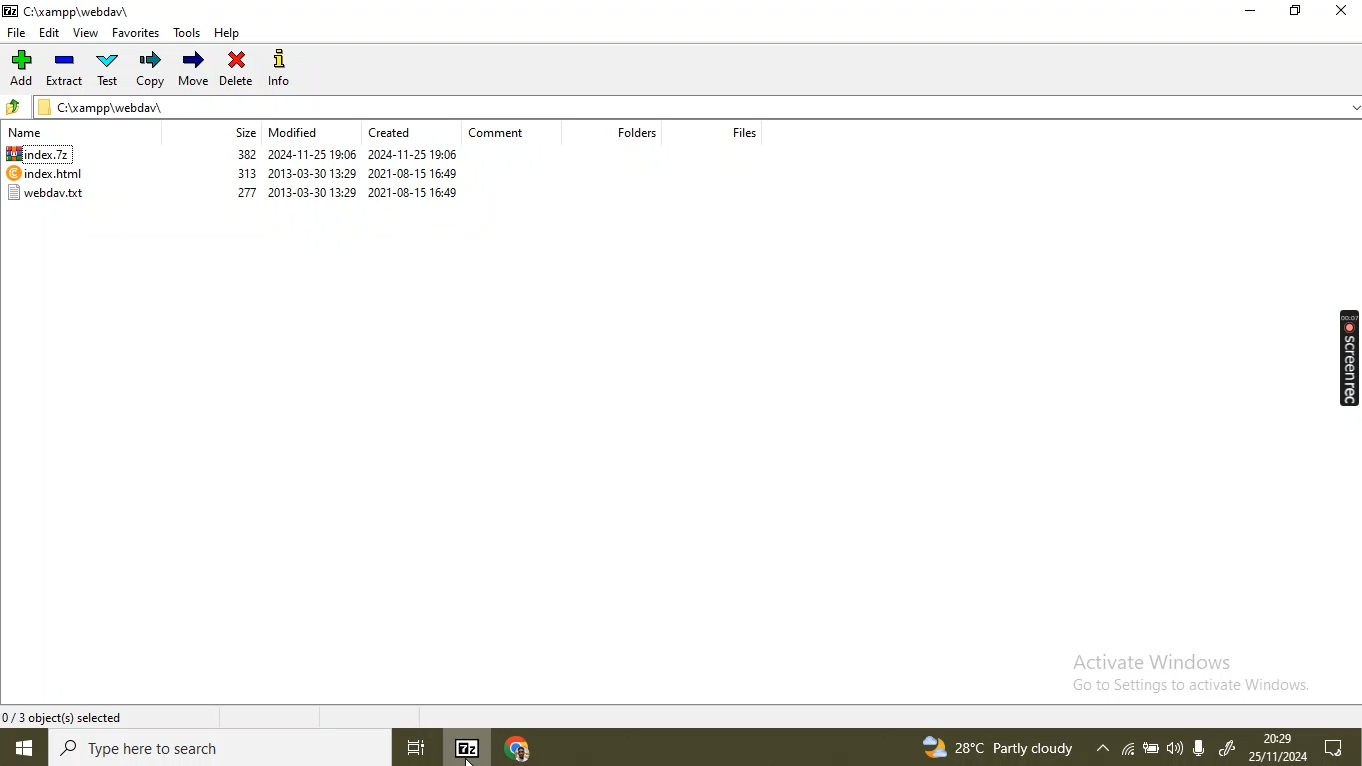 The image size is (1362, 766). I want to click on up folder, so click(15, 106).